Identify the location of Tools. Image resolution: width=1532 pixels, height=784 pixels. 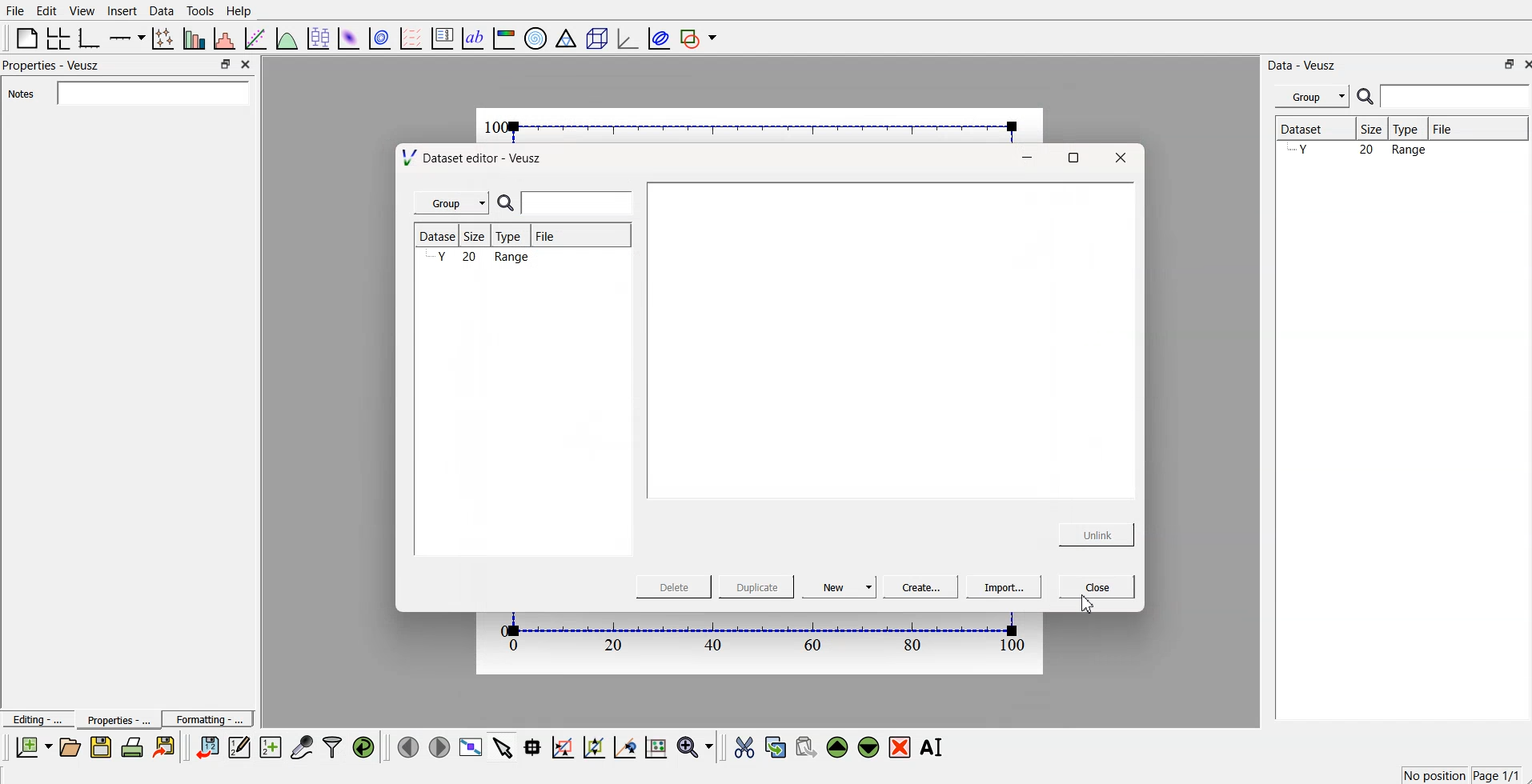
(201, 11).